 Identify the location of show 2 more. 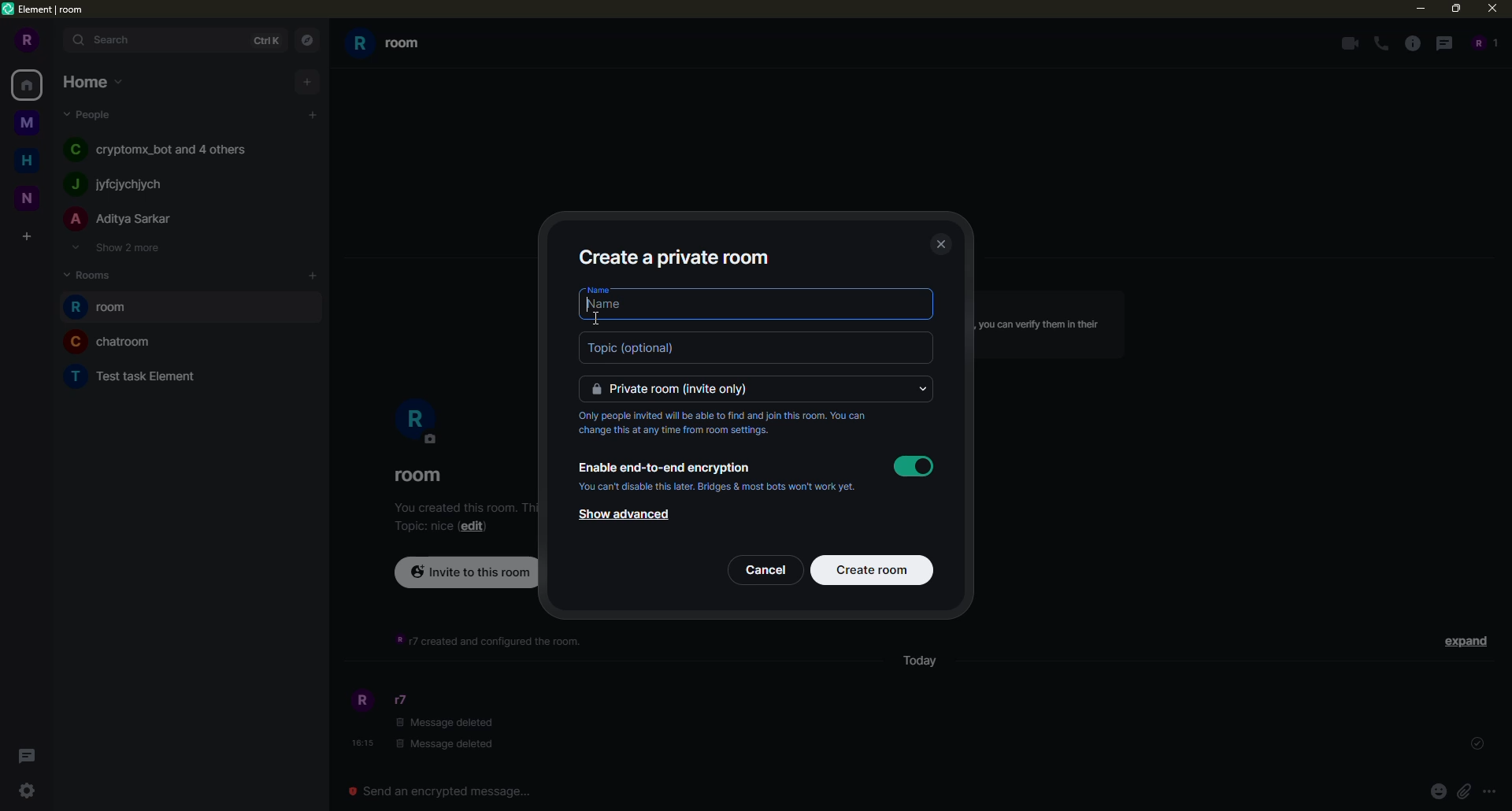
(123, 247).